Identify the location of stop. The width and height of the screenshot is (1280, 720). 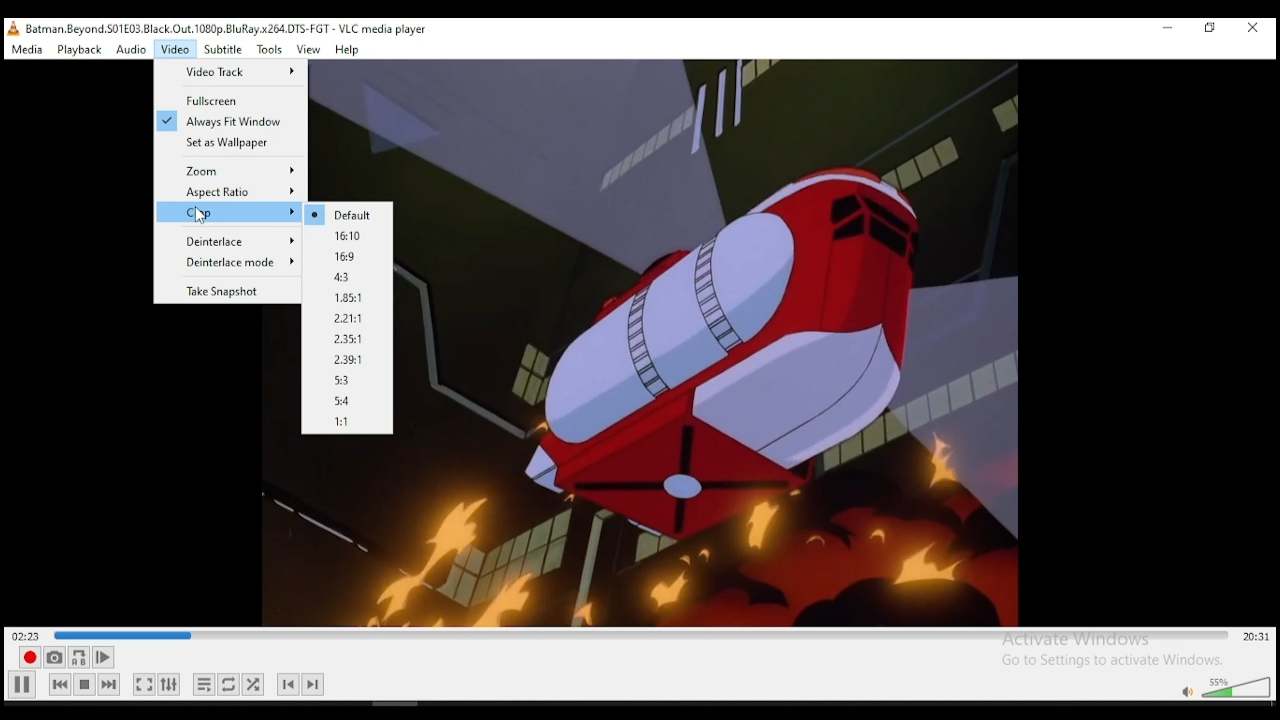
(83, 685).